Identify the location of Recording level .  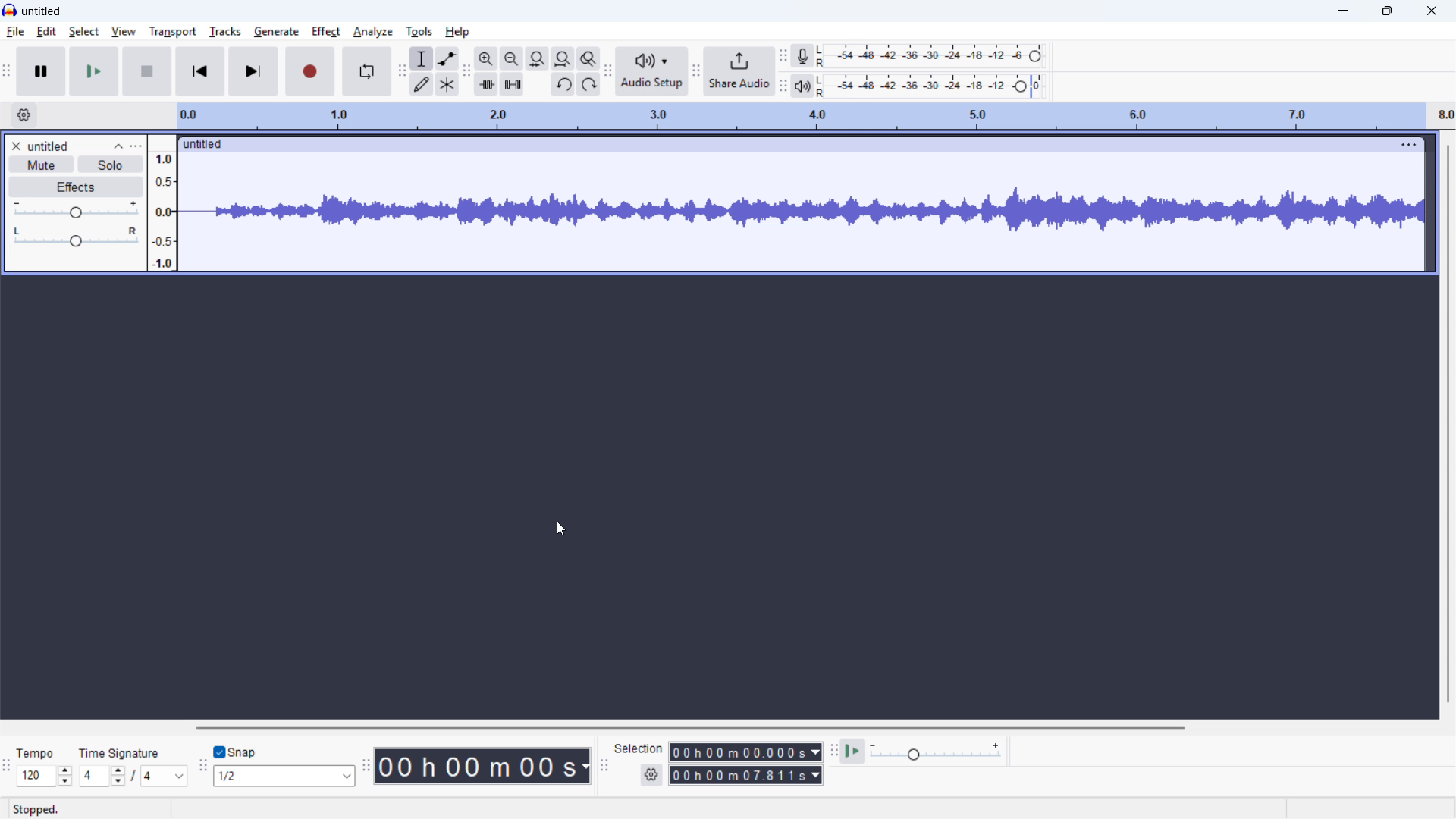
(929, 55).